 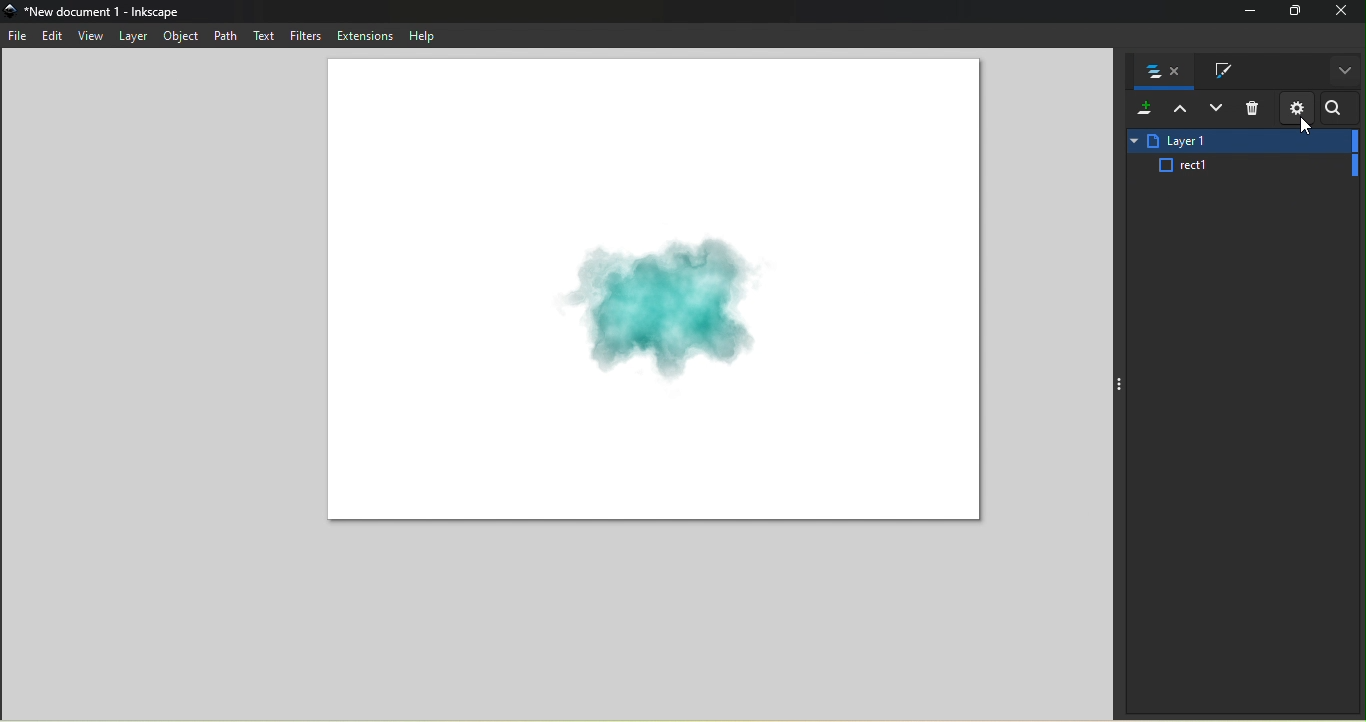 What do you see at coordinates (12, 11) in the screenshot?
I see `app icon` at bounding box center [12, 11].